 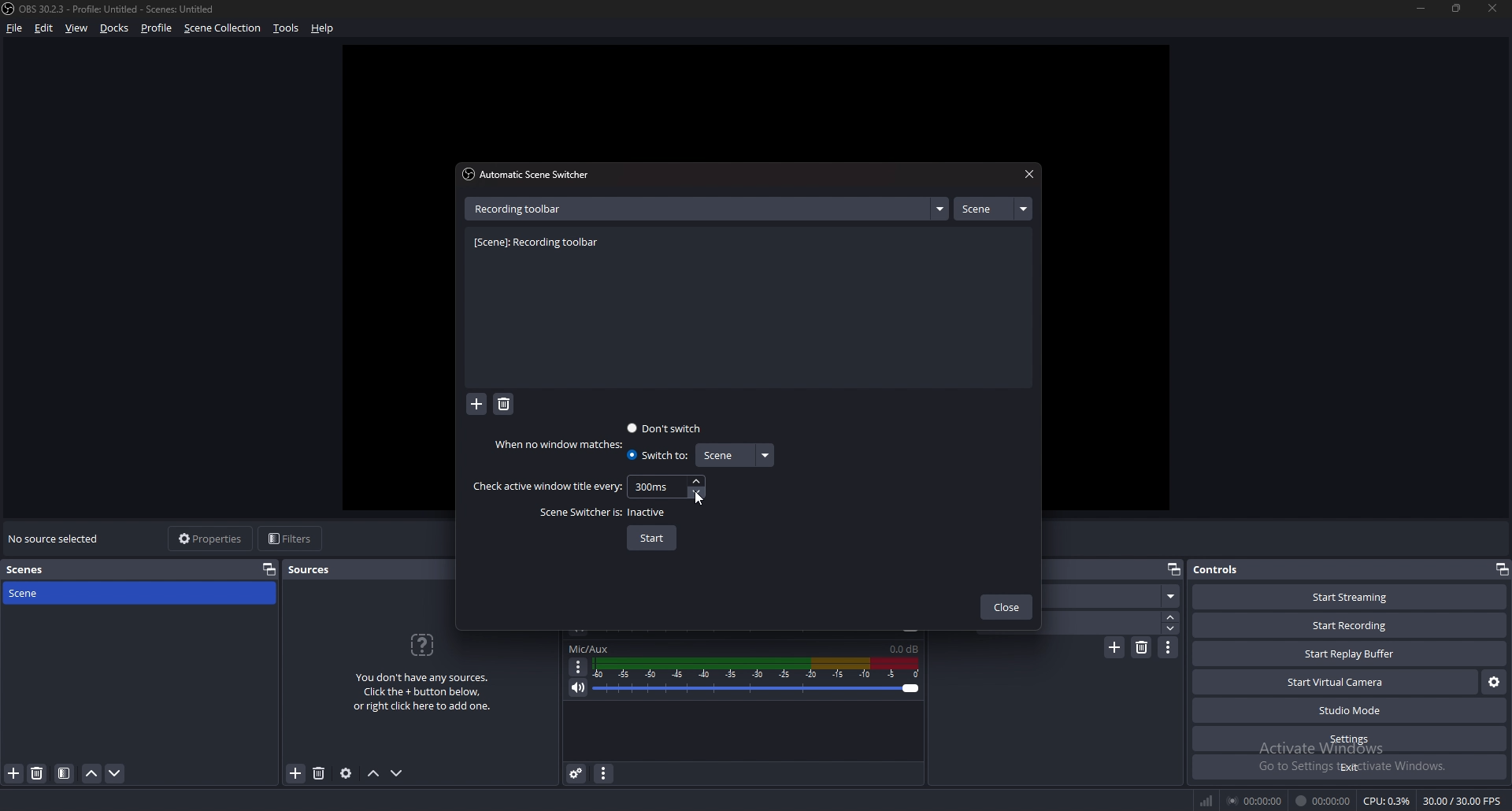 What do you see at coordinates (1351, 739) in the screenshot?
I see `settings` at bounding box center [1351, 739].